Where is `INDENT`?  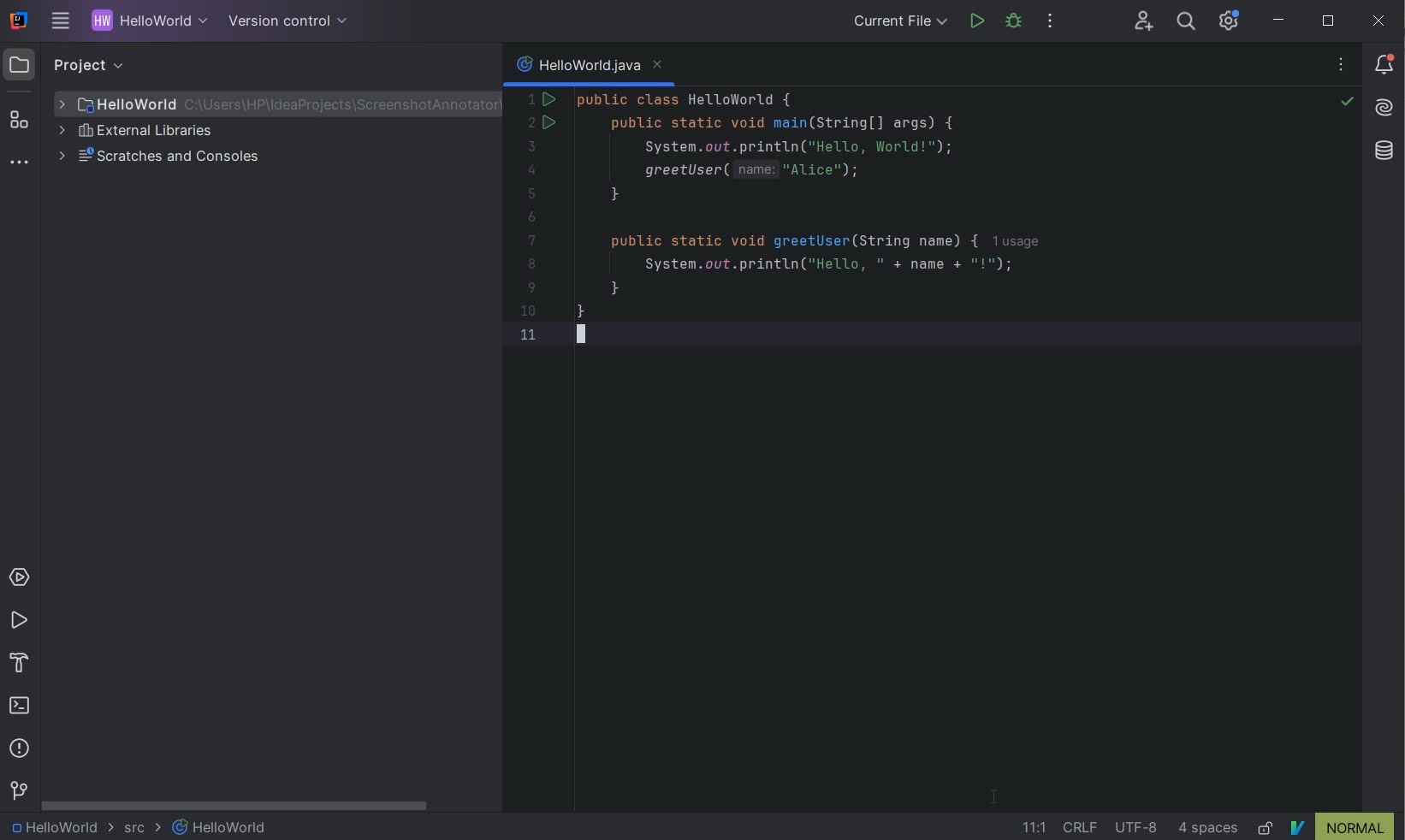 INDENT is located at coordinates (1210, 828).